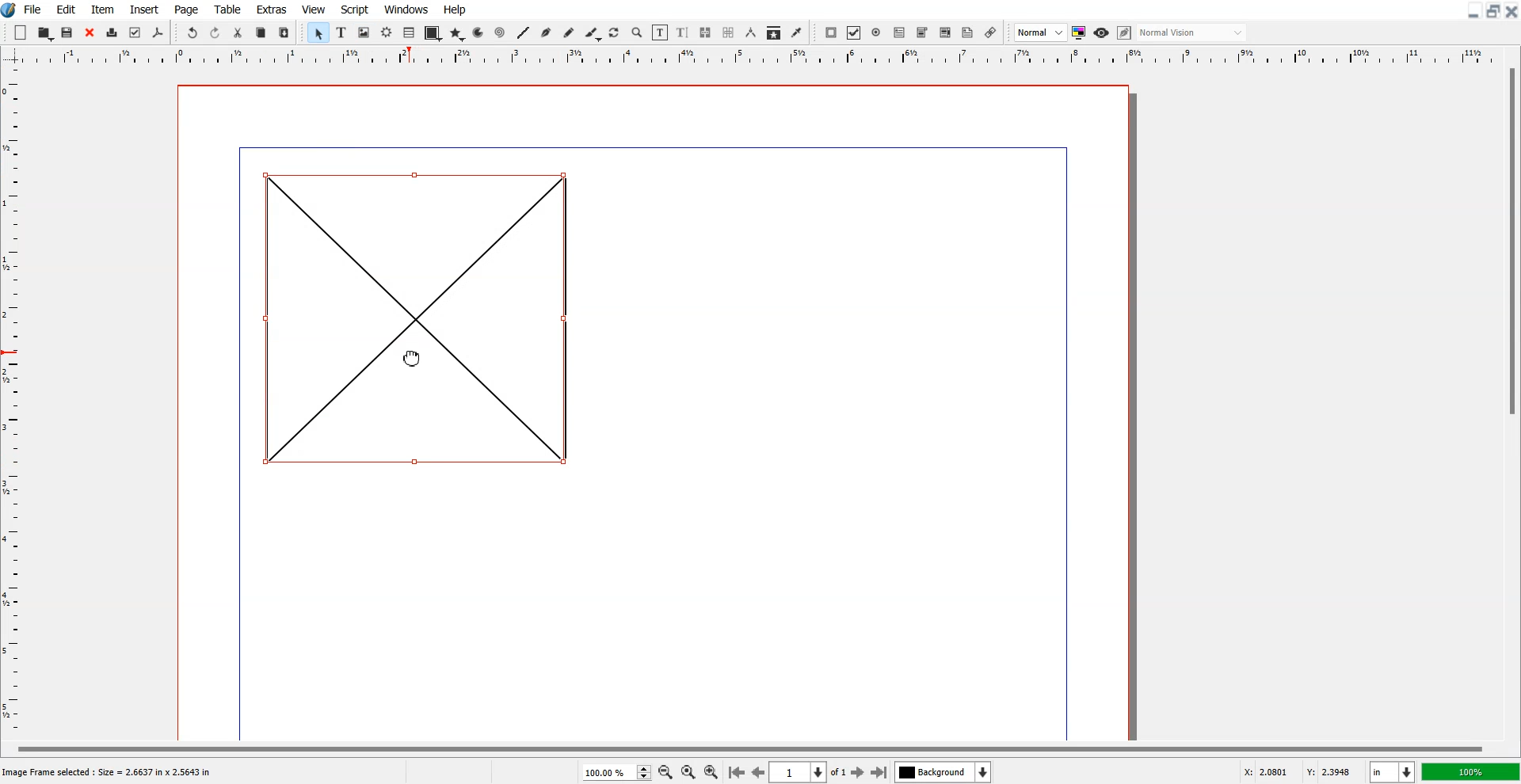 The width and height of the screenshot is (1521, 784). Describe the element at coordinates (705, 32) in the screenshot. I see `Link Text frame` at that location.